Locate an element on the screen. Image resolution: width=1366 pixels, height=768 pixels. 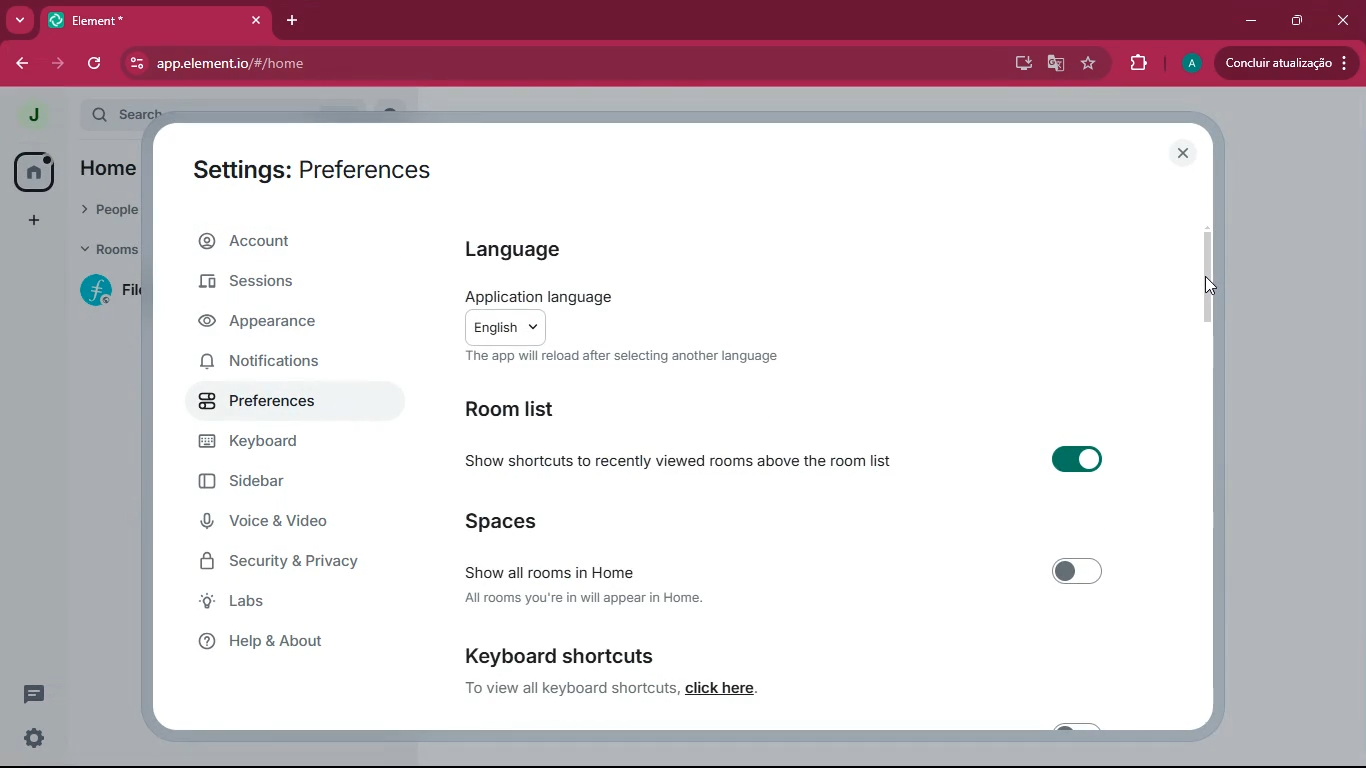
more is located at coordinates (20, 20).